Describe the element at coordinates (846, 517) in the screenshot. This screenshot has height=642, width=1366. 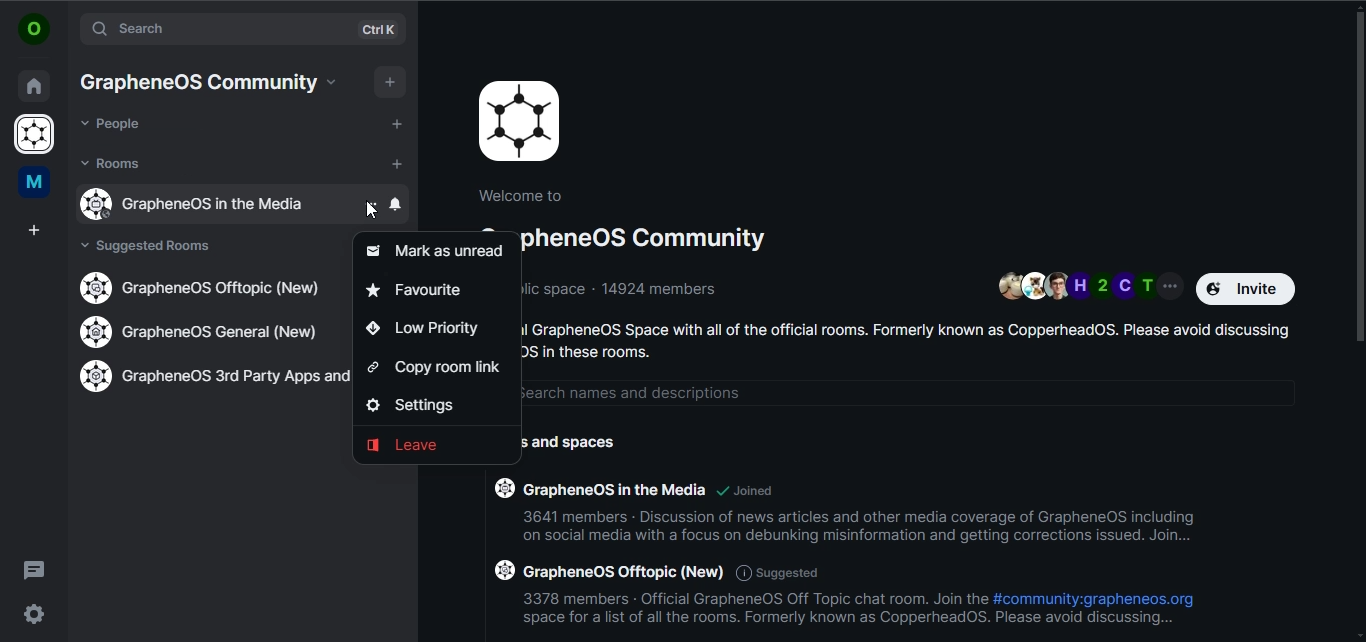
I see `GrapheneOS in the Media Joined
3641 members - Discussion of news articles and other media coverage of Graphene0S including
on social media with a focus on debunking misinformation and getting corrections issued. Join...` at that location.